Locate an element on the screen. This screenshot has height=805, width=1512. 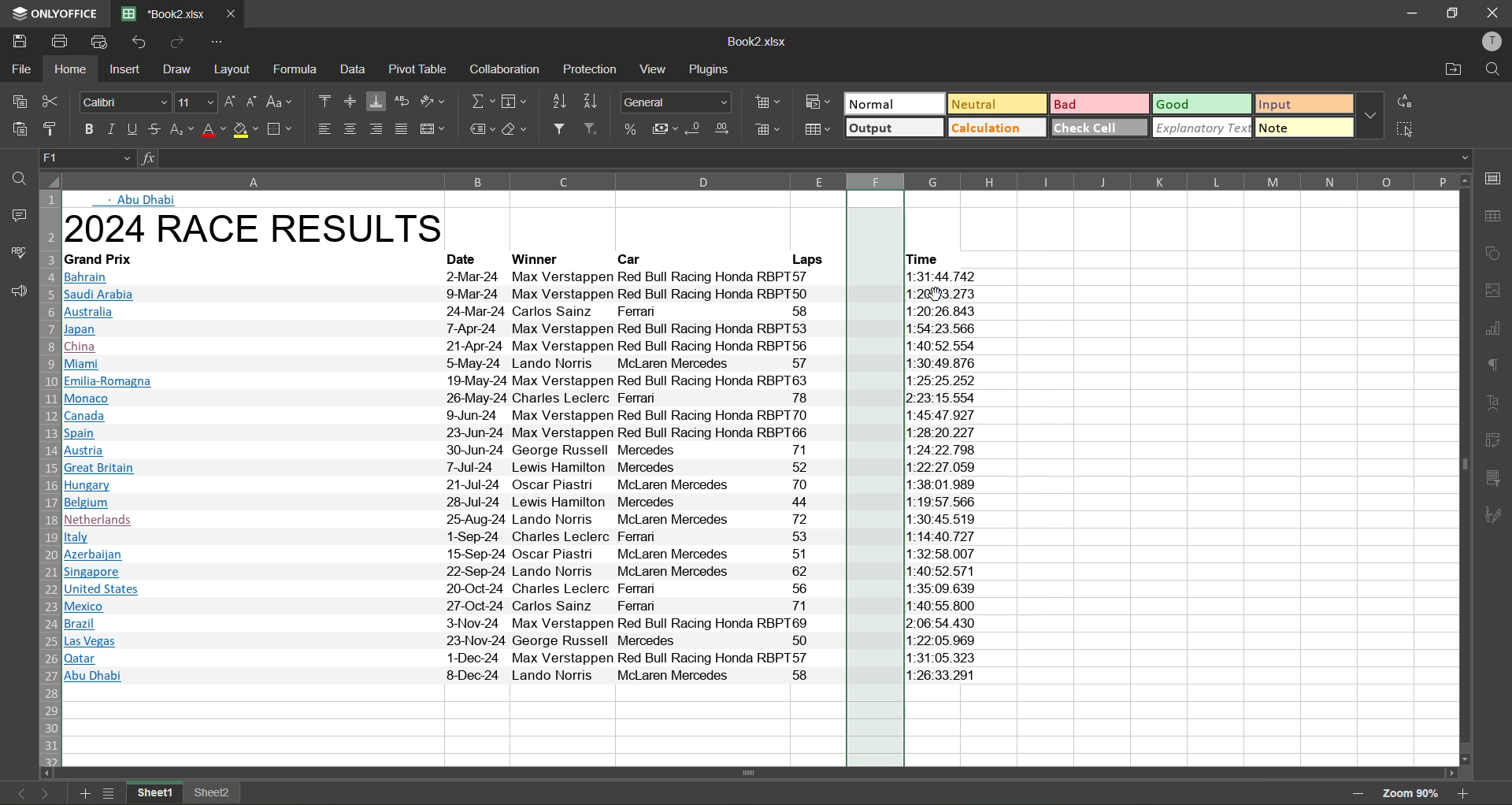
Great Britain 7-Jul-24 Lewis Hamilton Mercedes 52 1:22:27.059 is located at coordinates (448, 468).